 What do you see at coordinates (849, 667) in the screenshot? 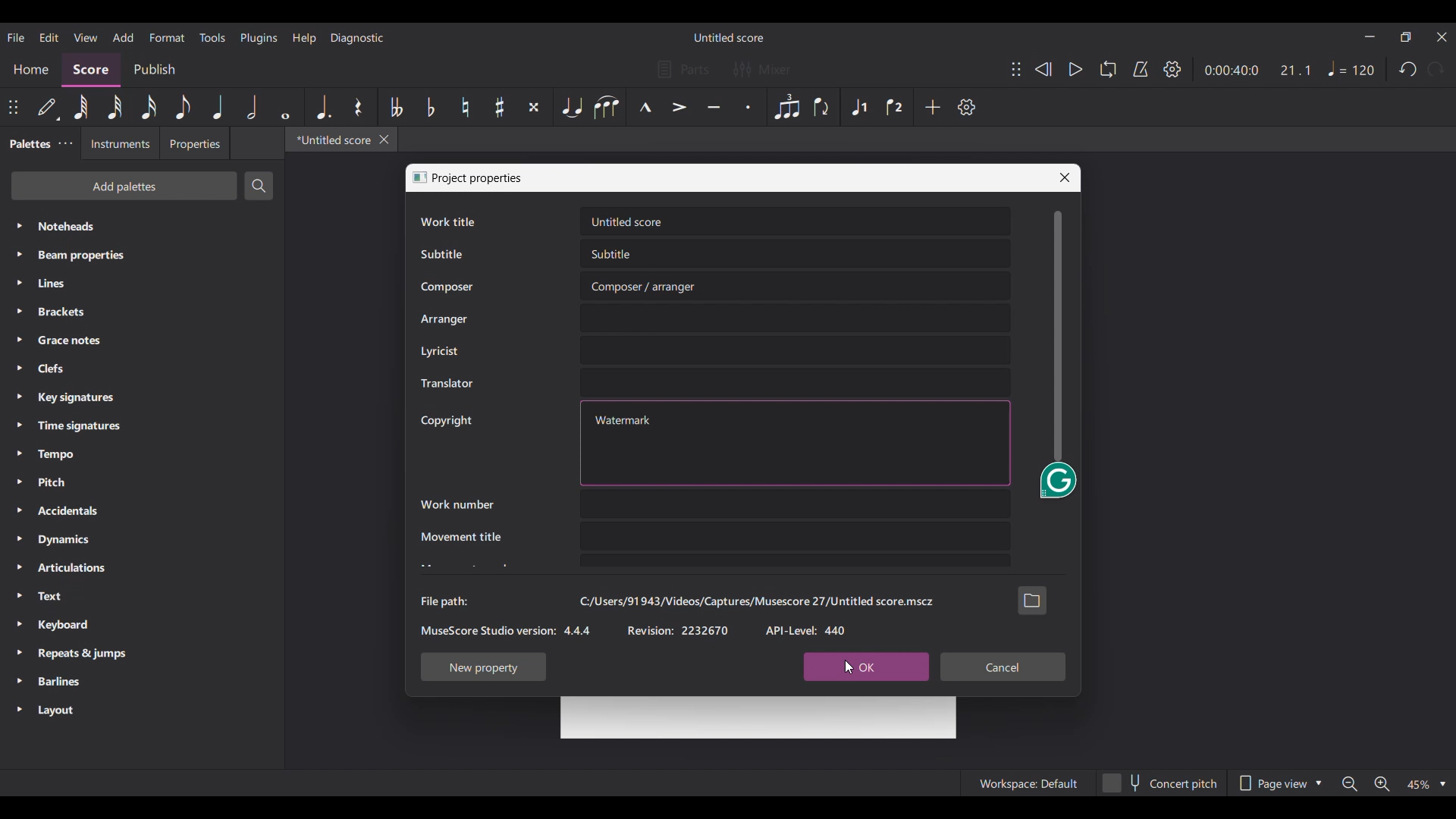
I see `Cursor` at bounding box center [849, 667].